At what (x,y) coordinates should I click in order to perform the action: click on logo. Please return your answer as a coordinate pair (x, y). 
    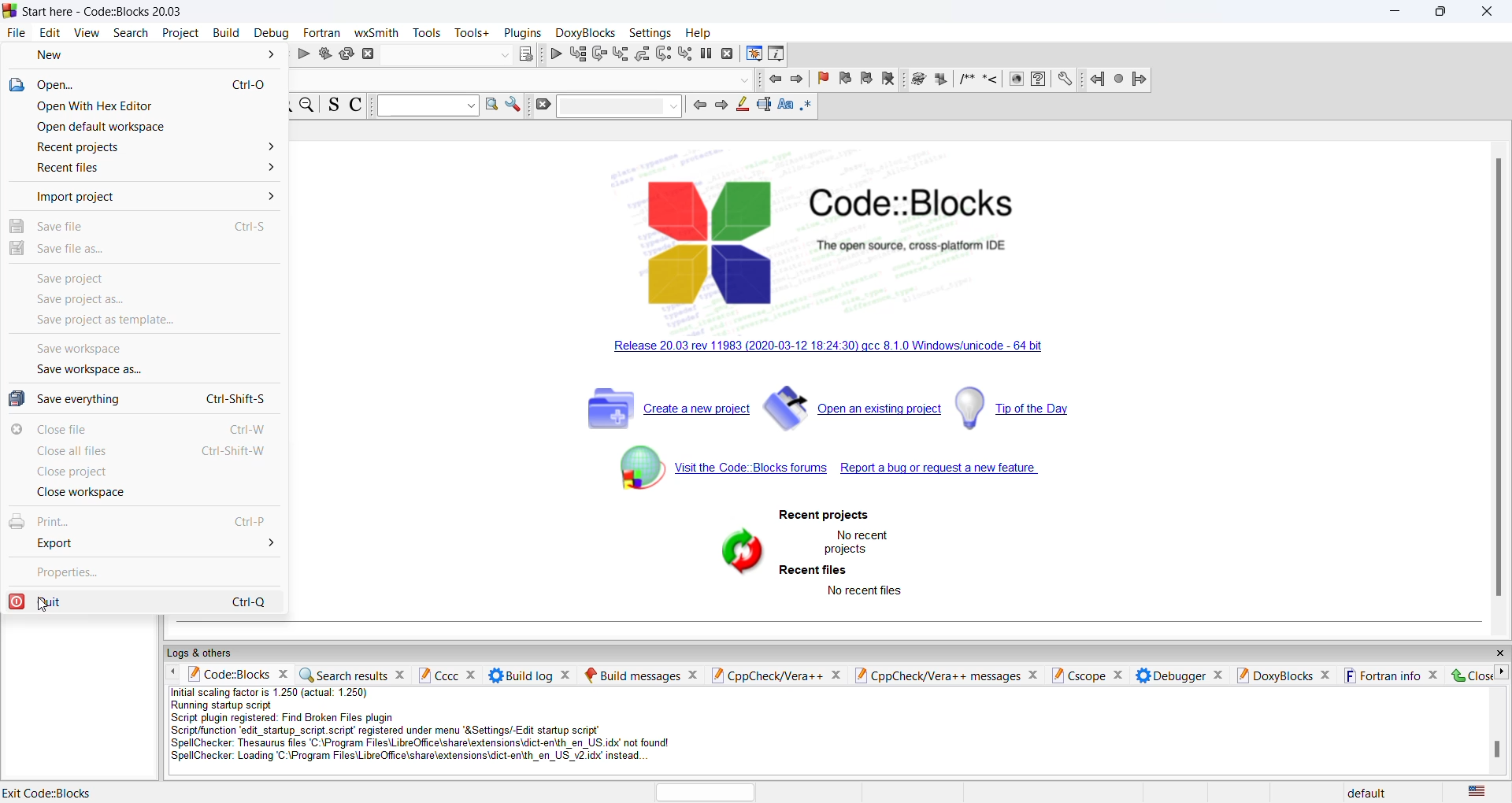
    Looking at the image, I should click on (9, 9).